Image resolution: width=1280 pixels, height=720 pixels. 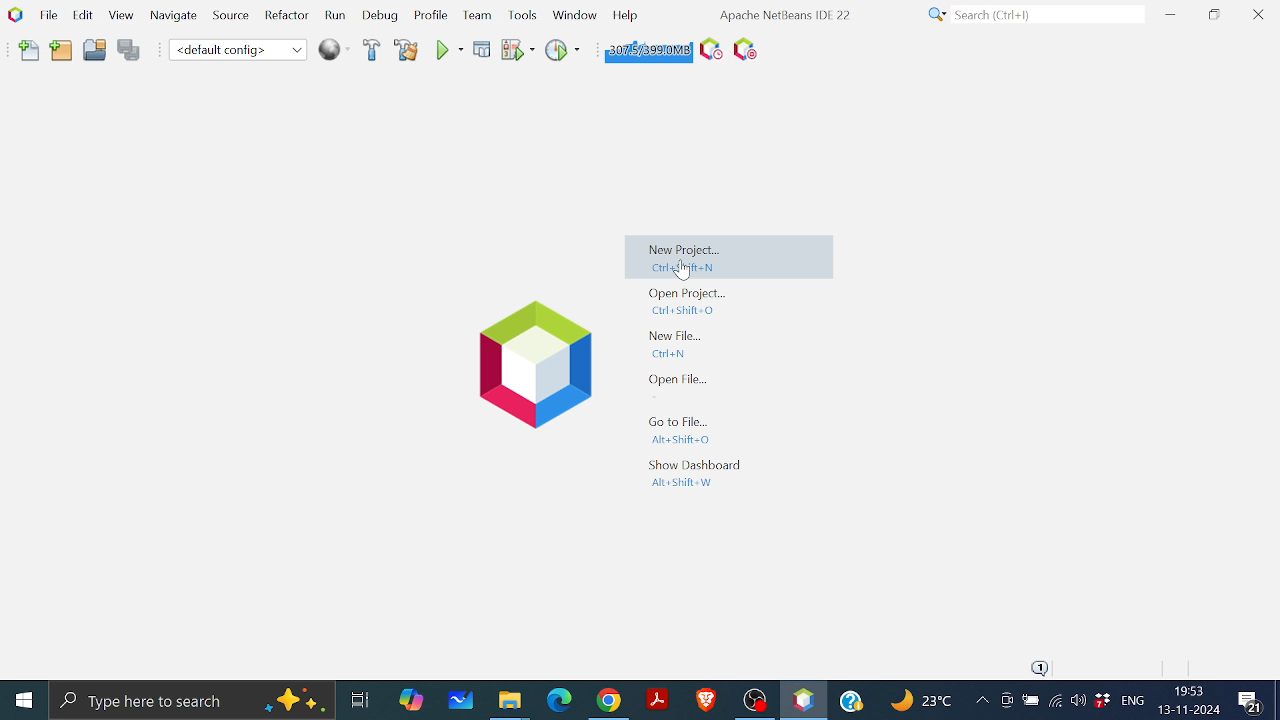 What do you see at coordinates (680, 343) in the screenshot?
I see `New file` at bounding box center [680, 343].